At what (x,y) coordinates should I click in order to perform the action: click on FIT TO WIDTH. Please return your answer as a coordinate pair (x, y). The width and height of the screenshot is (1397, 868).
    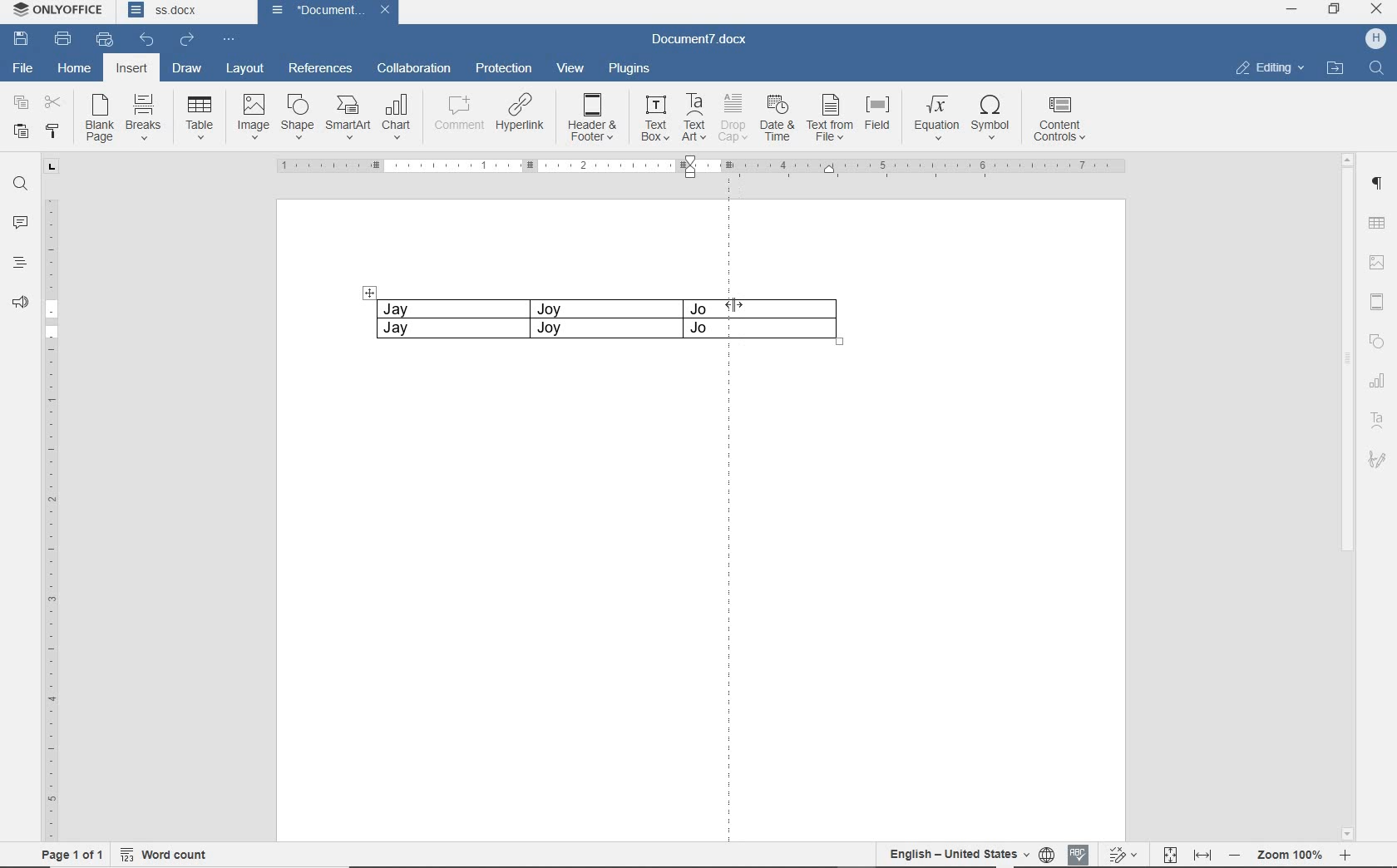
    Looking at the image, I should click on (1202, 852).